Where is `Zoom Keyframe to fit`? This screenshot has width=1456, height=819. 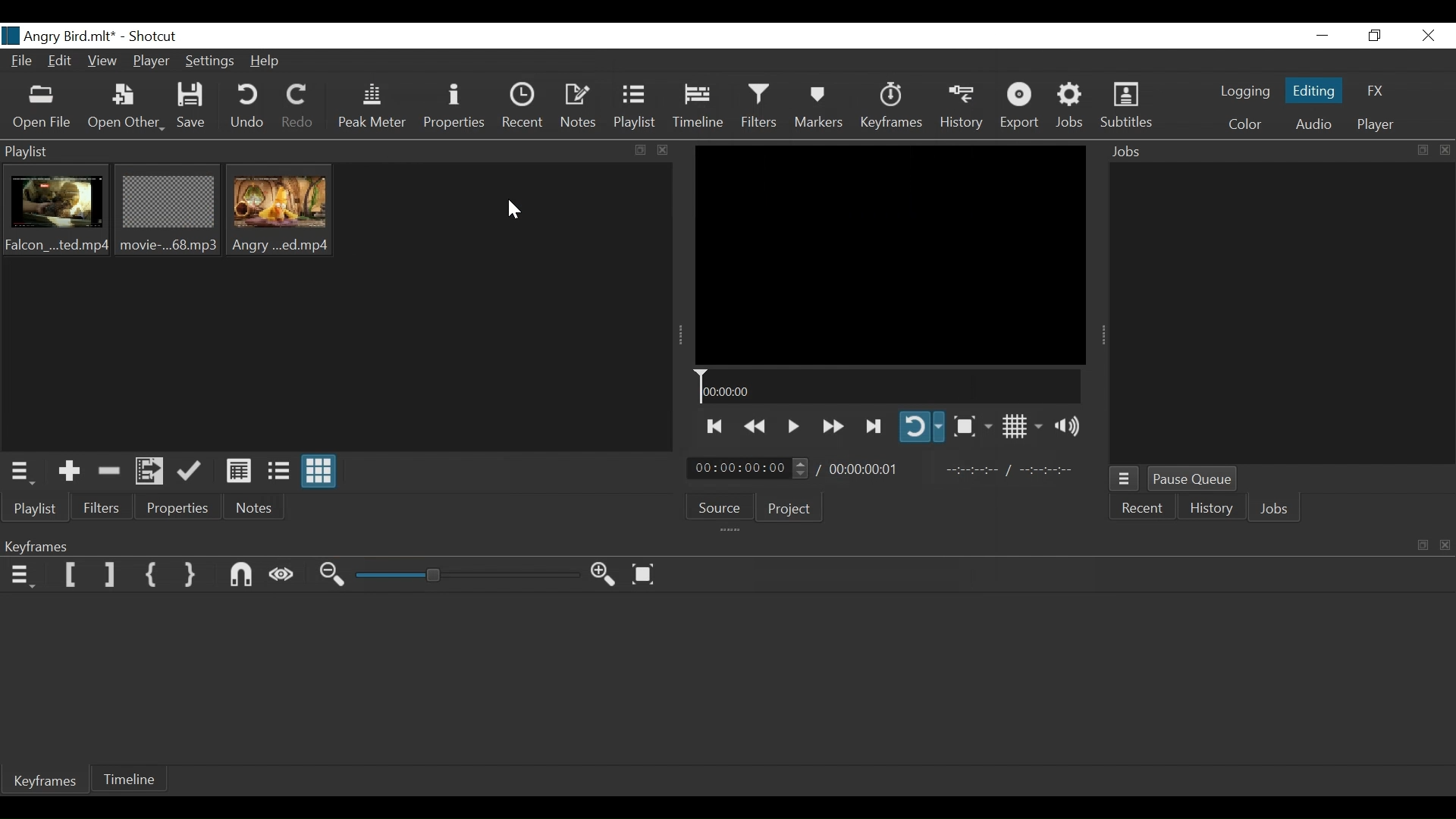 Zoom Keyframe to fit is located at coordinates (649, 576).